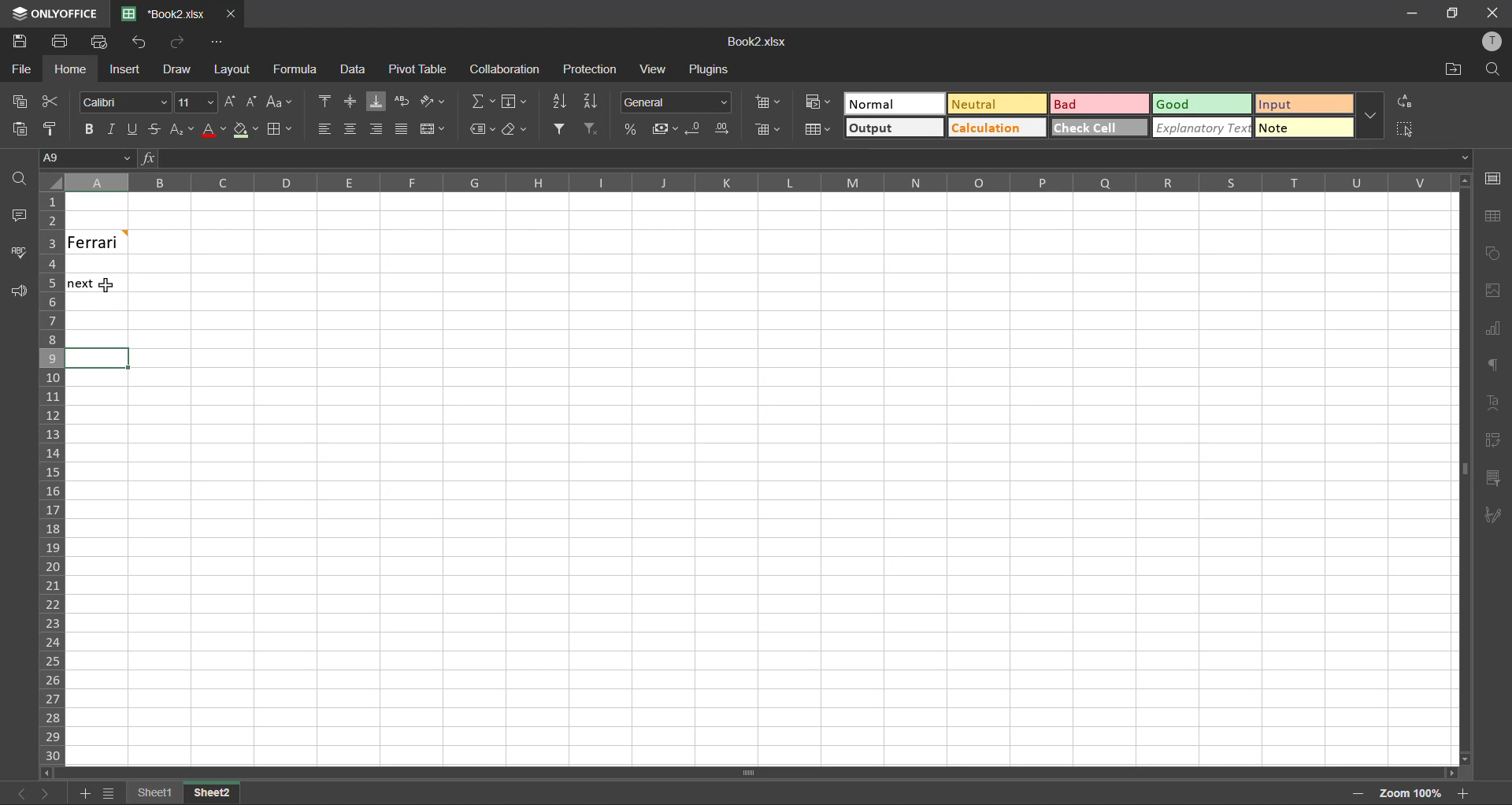 This screenshot has width=1512, height=805. I want to click on conditional formatting, so click(815, 102).